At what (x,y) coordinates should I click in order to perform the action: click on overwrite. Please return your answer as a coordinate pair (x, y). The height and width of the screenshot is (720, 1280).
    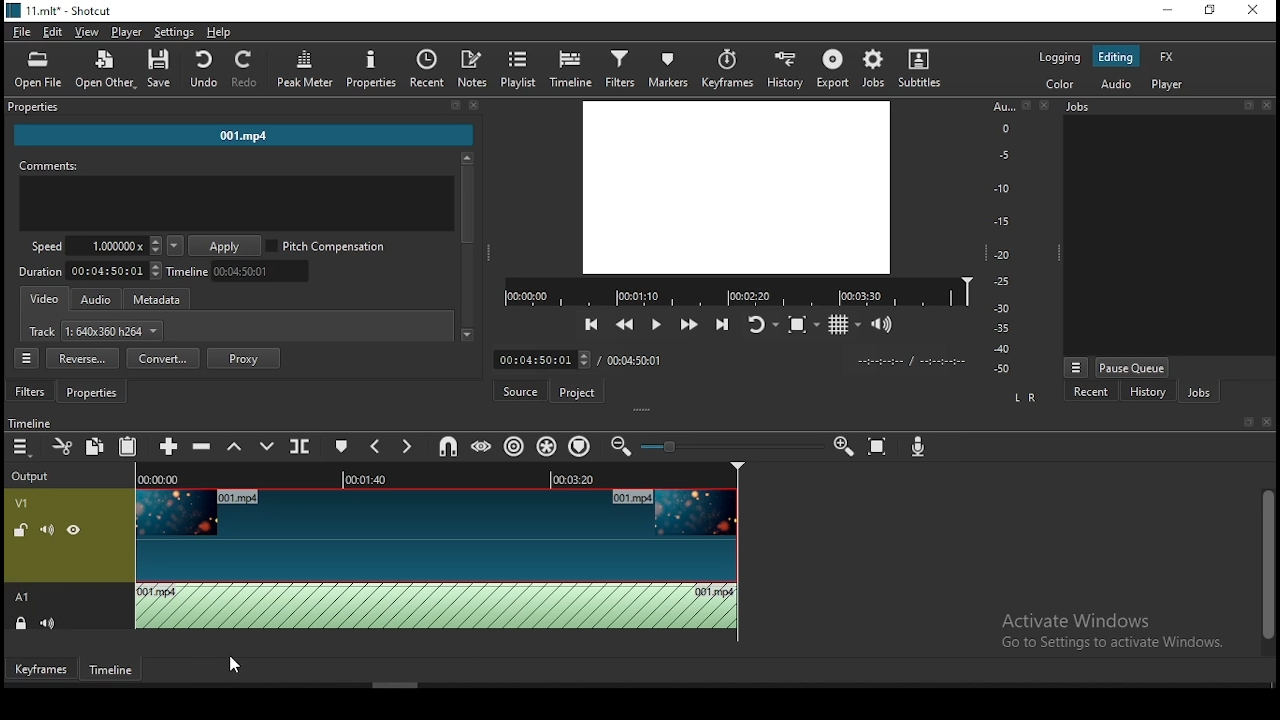
    Looking at the image, I should click on (267, 447).